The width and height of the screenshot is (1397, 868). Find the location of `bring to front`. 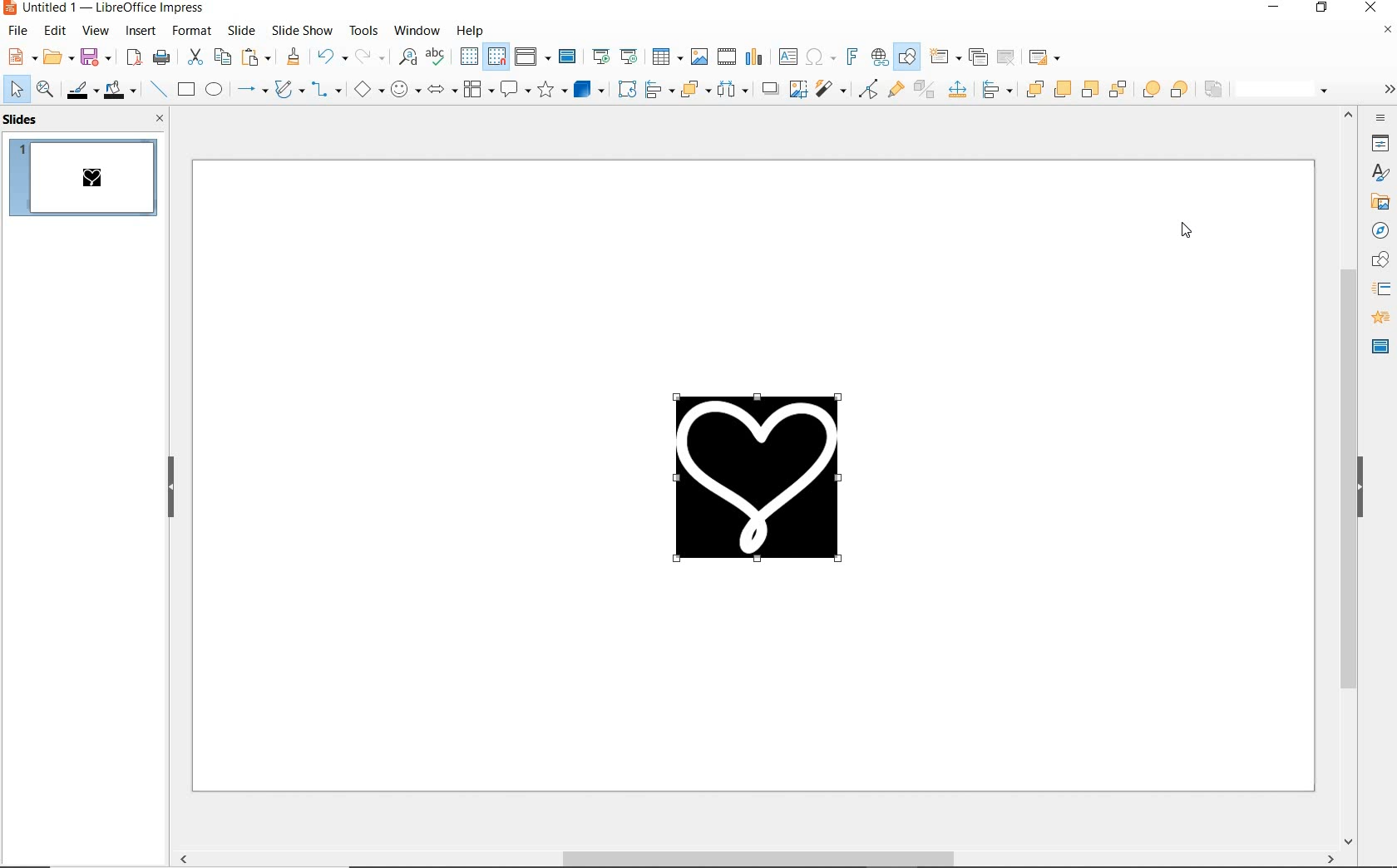

bring to front is located at coordinates (1033, 86).